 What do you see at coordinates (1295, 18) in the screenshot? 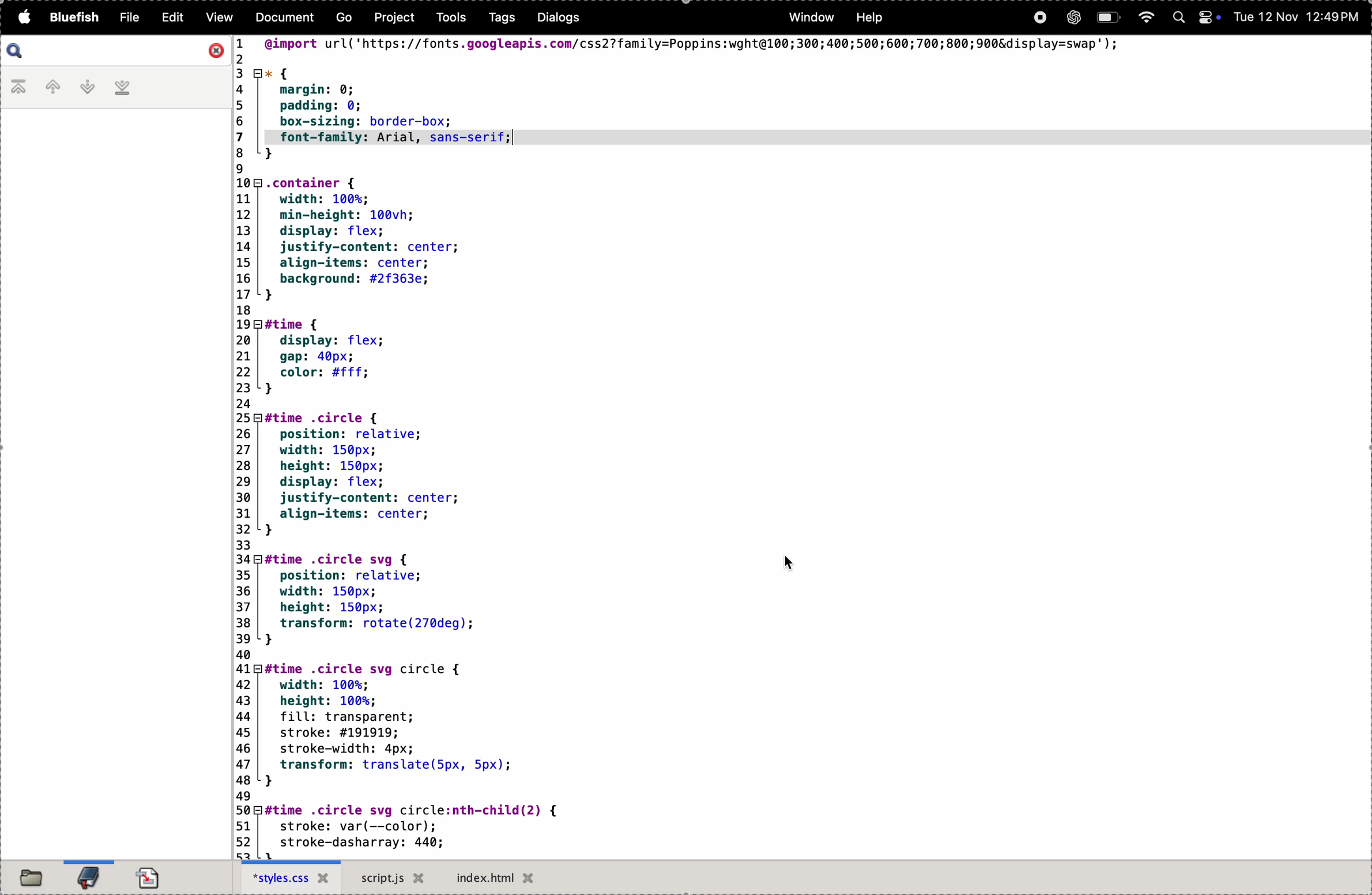
I see `Tue 12 Nov 12:49PM` at bounding box center [1295, 18].